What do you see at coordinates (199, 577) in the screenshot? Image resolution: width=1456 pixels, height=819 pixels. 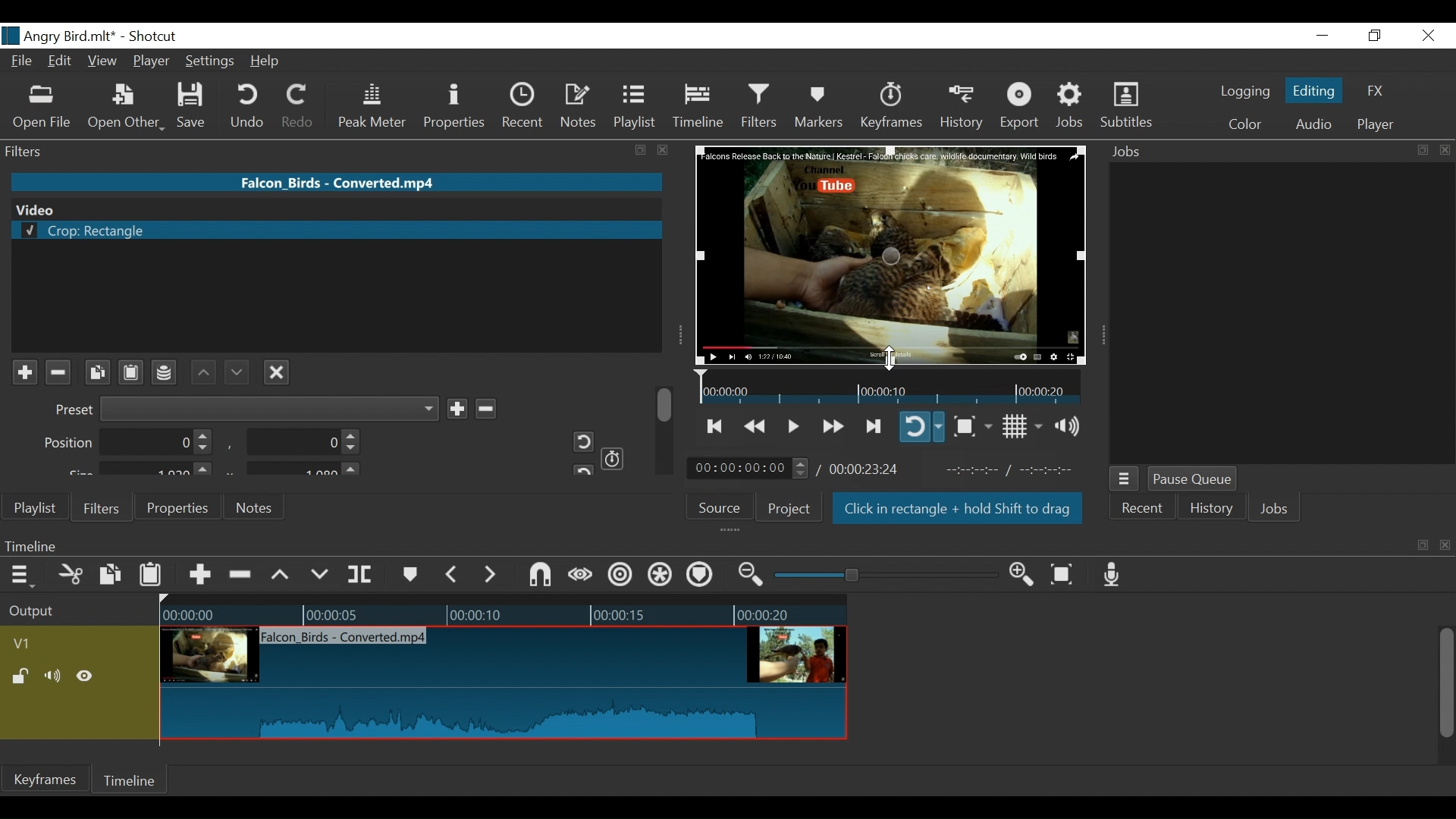 I see `Append` at bounding box center [199, 577].